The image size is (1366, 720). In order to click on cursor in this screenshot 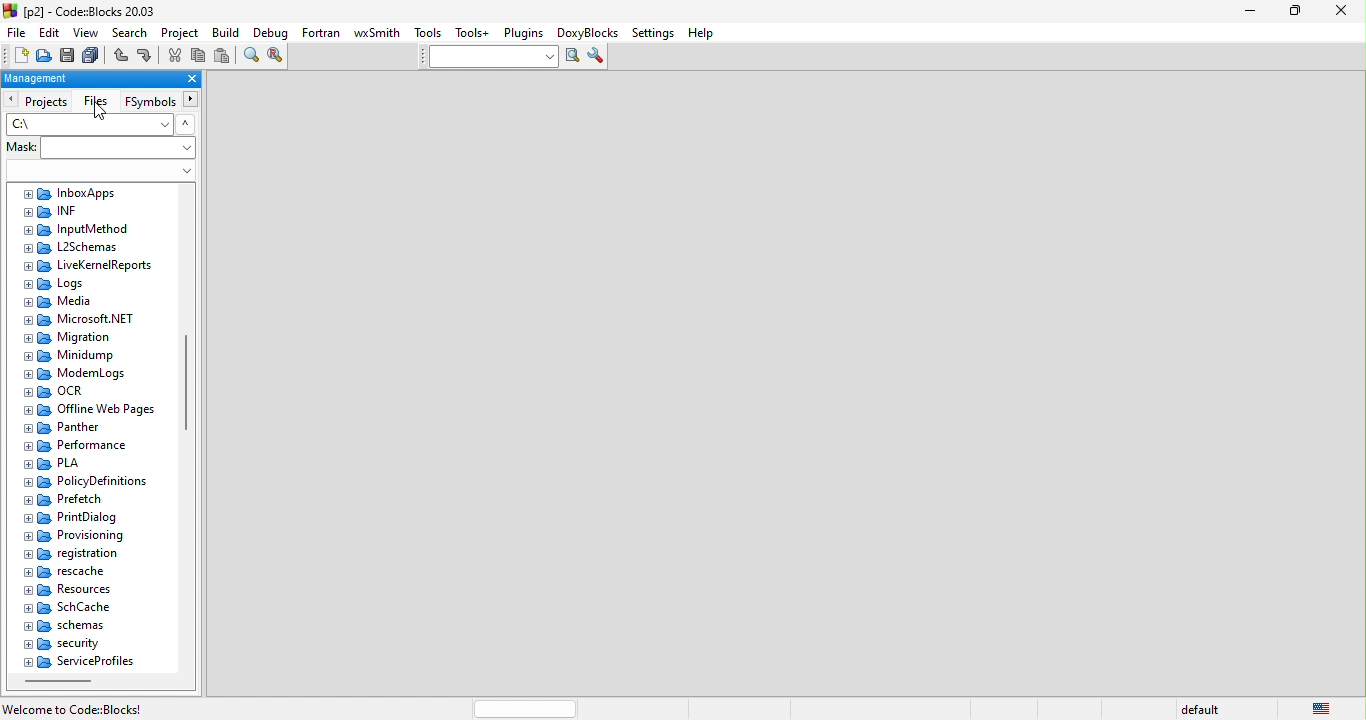, I will do `click(107, 113)`.